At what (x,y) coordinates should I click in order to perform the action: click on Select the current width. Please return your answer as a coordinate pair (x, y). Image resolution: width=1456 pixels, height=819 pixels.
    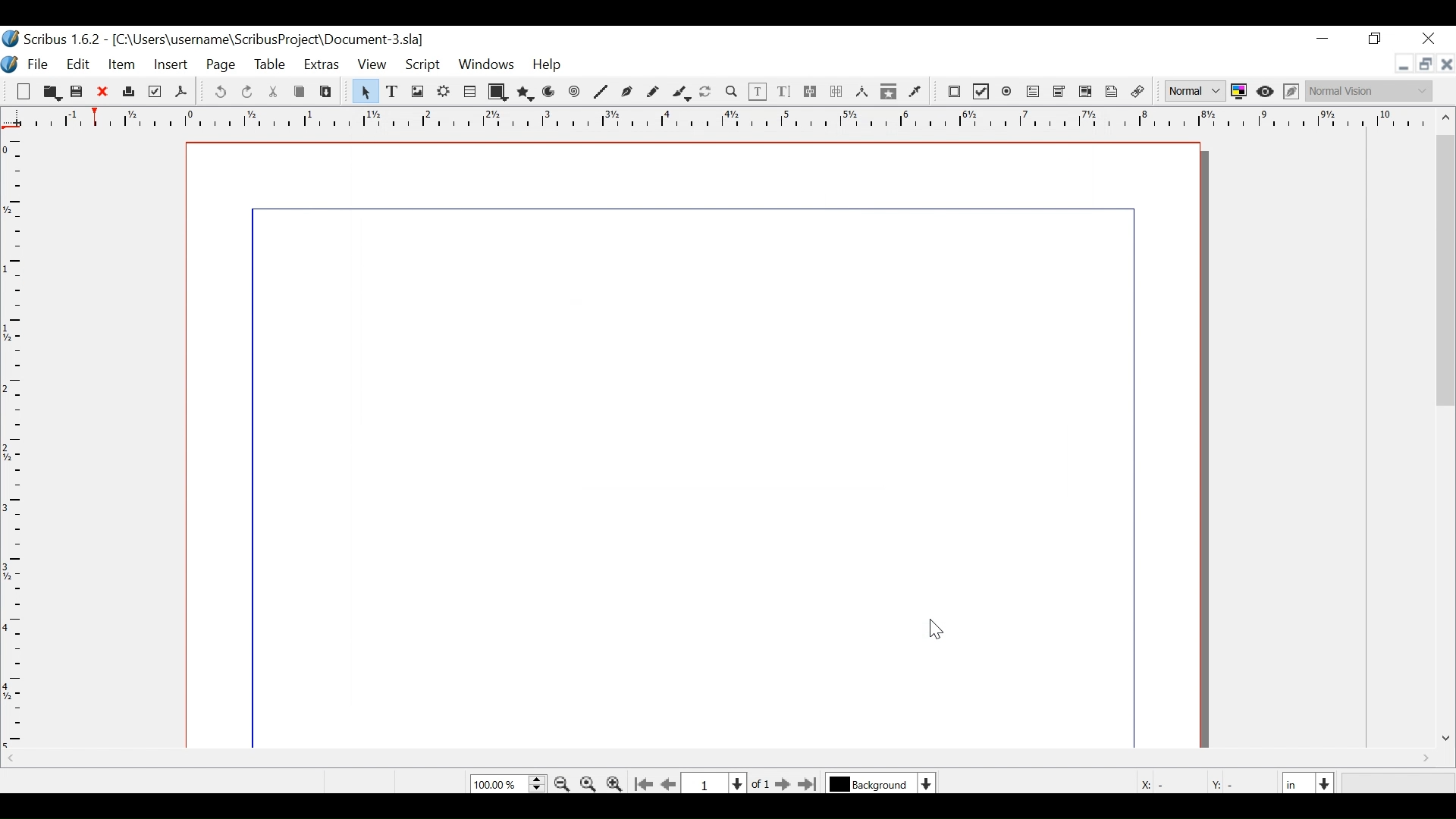
    Looking at the image, I should click on (1298, 782).